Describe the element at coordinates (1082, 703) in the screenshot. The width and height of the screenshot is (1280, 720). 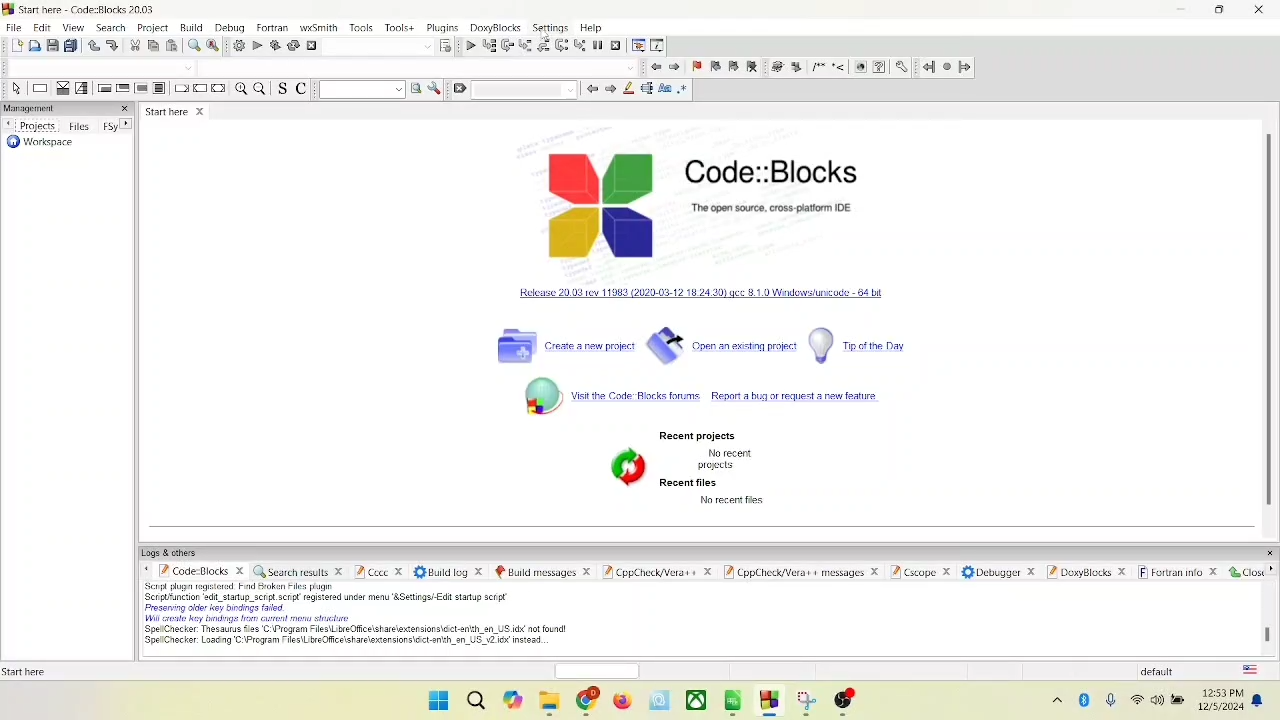
I see `bluetooth` at that location.